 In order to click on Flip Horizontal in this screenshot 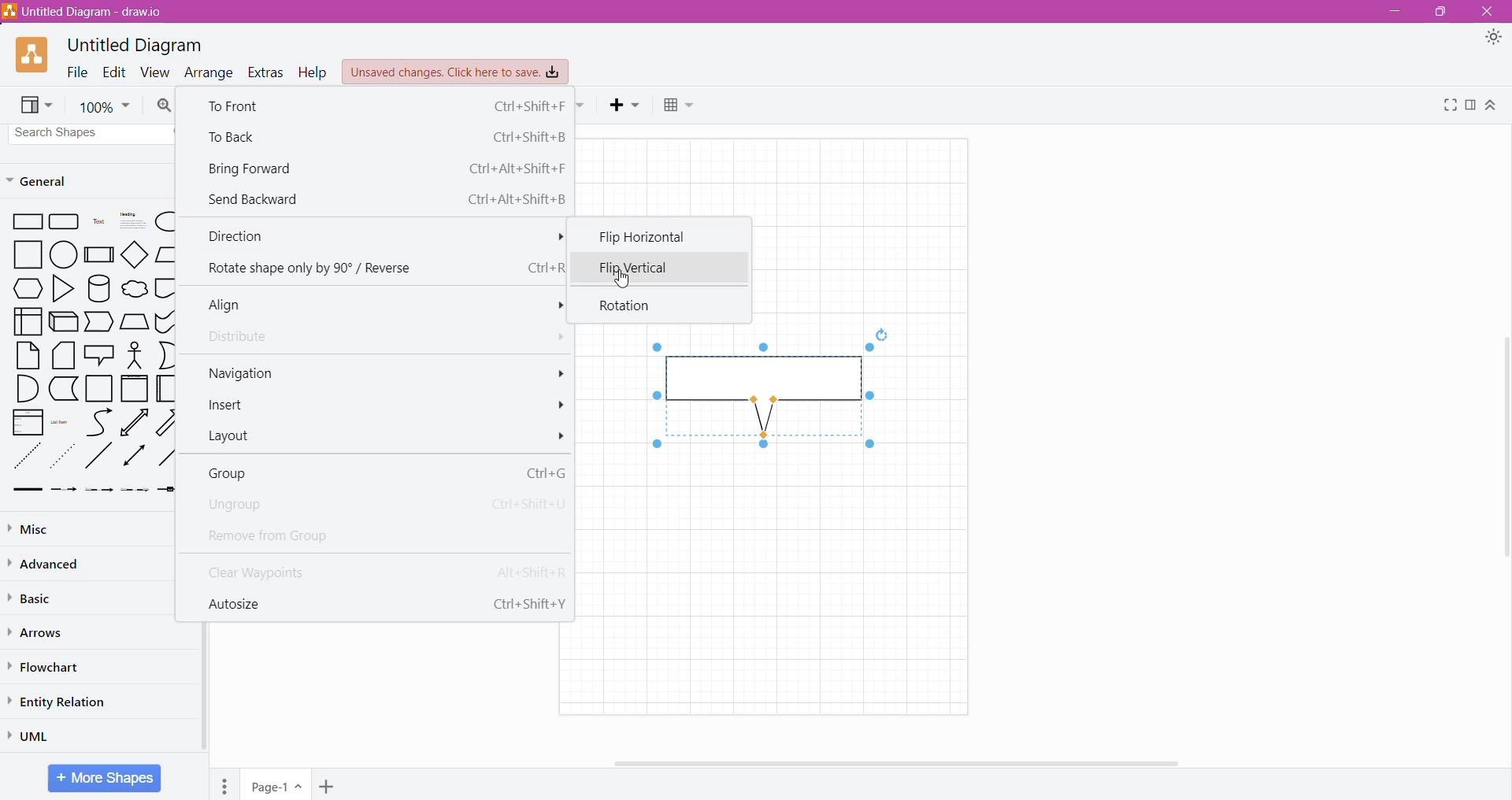, I will do `click(654, 236)`.